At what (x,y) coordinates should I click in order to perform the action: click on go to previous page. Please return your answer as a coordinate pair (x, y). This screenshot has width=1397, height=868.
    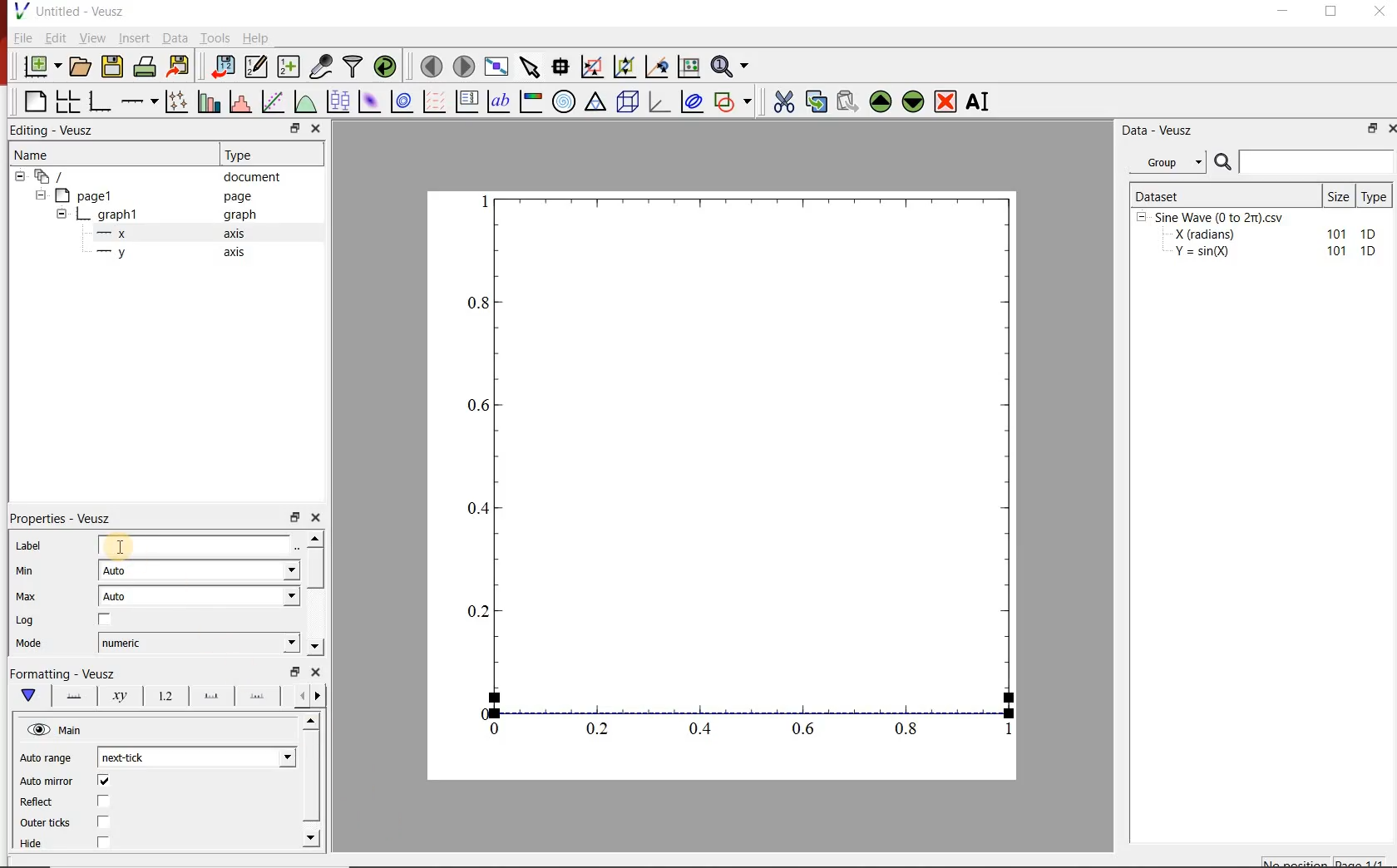
    Looking at the image, I should click on (431, 66).